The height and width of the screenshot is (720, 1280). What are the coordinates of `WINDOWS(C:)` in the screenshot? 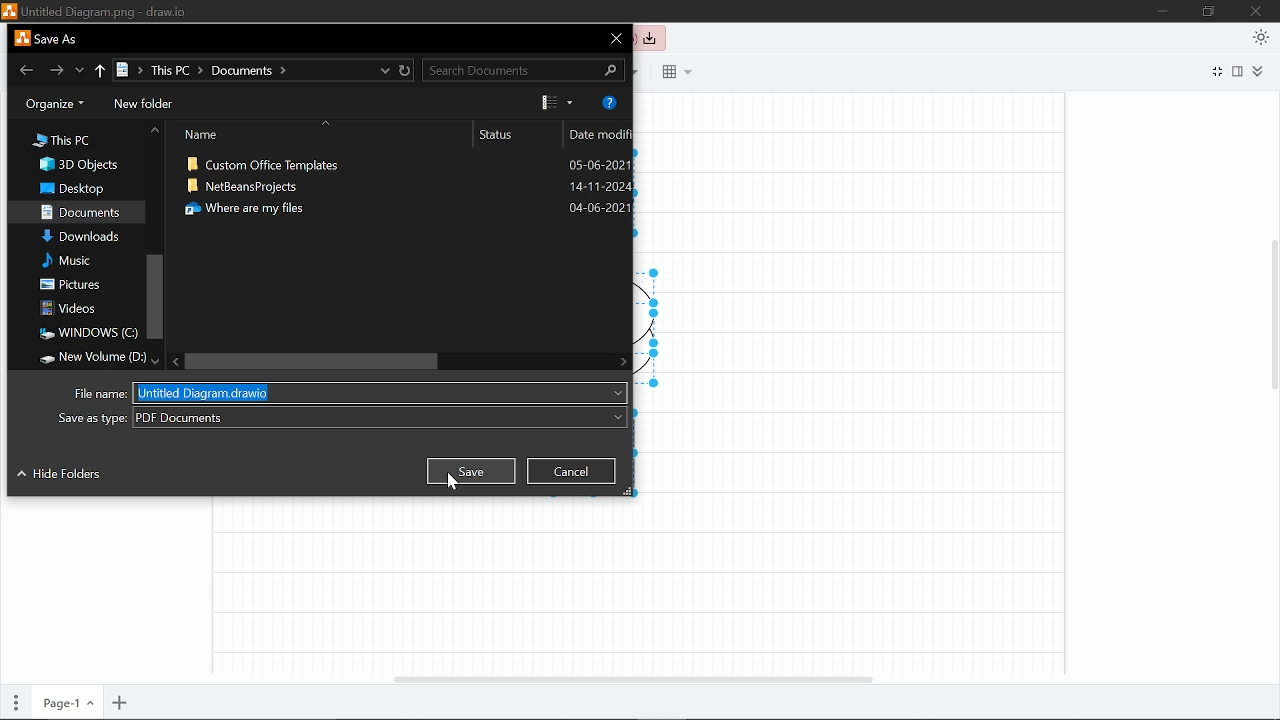 It's located at (86, 334).